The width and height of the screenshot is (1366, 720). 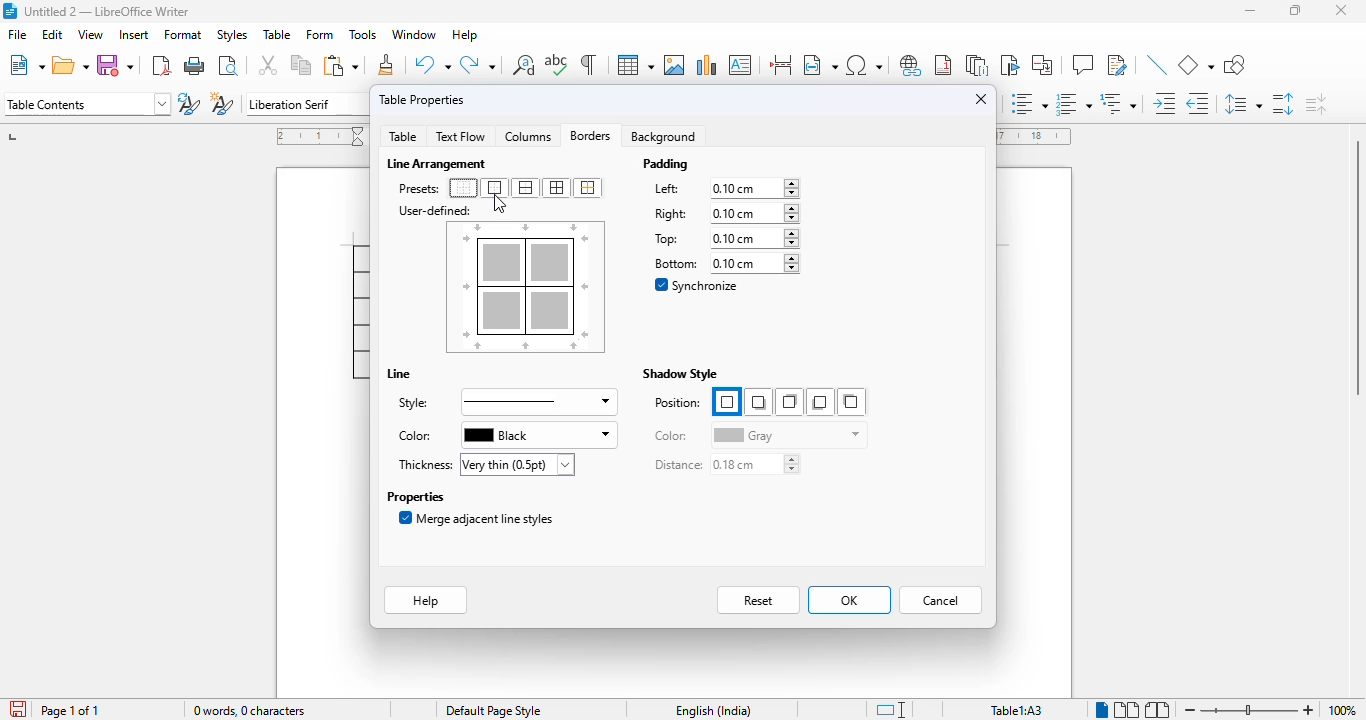 I want to click on merge adjacent line styles, so click(x=477, y=518).